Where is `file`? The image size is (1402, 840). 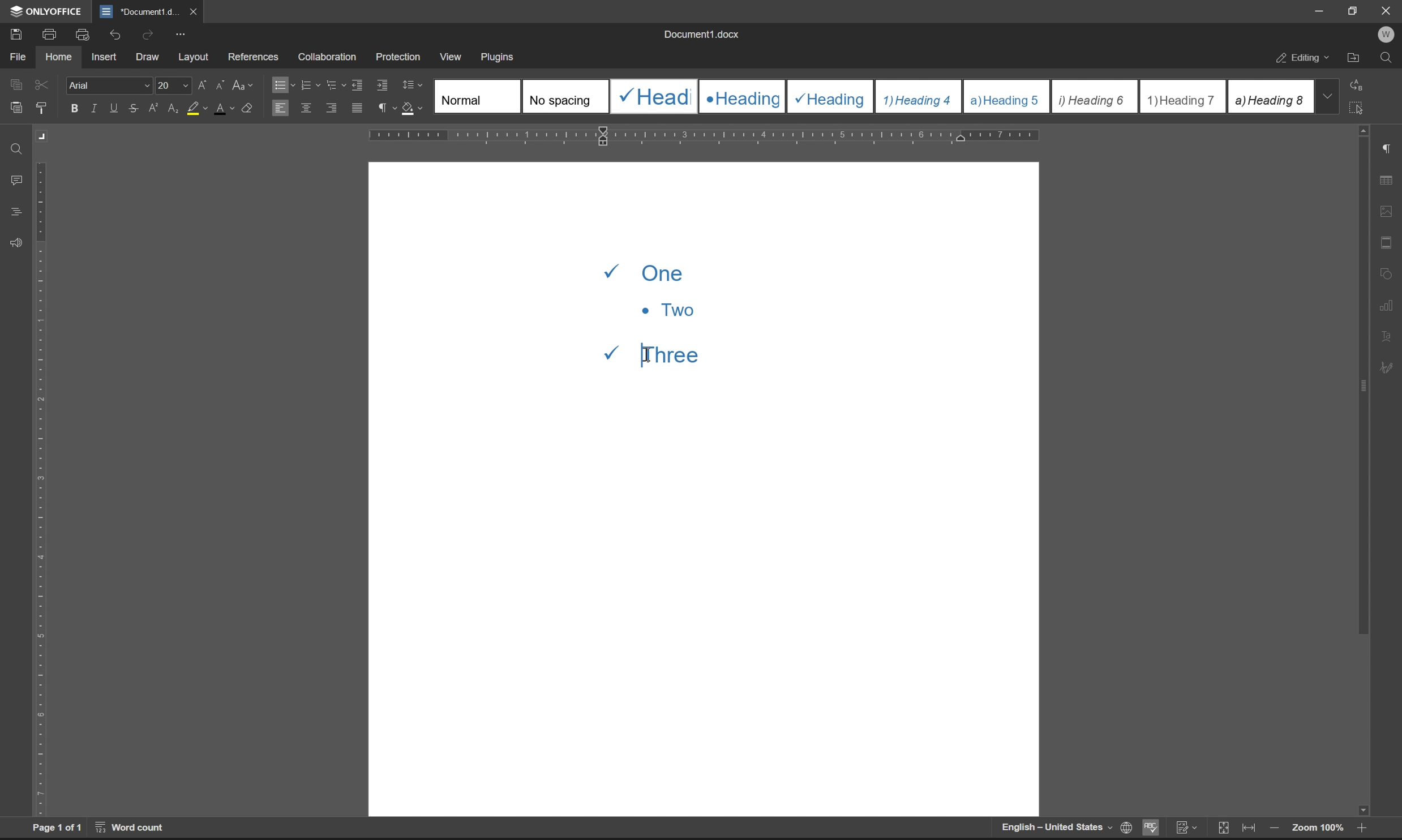 file is located at coordinates (17, 57).